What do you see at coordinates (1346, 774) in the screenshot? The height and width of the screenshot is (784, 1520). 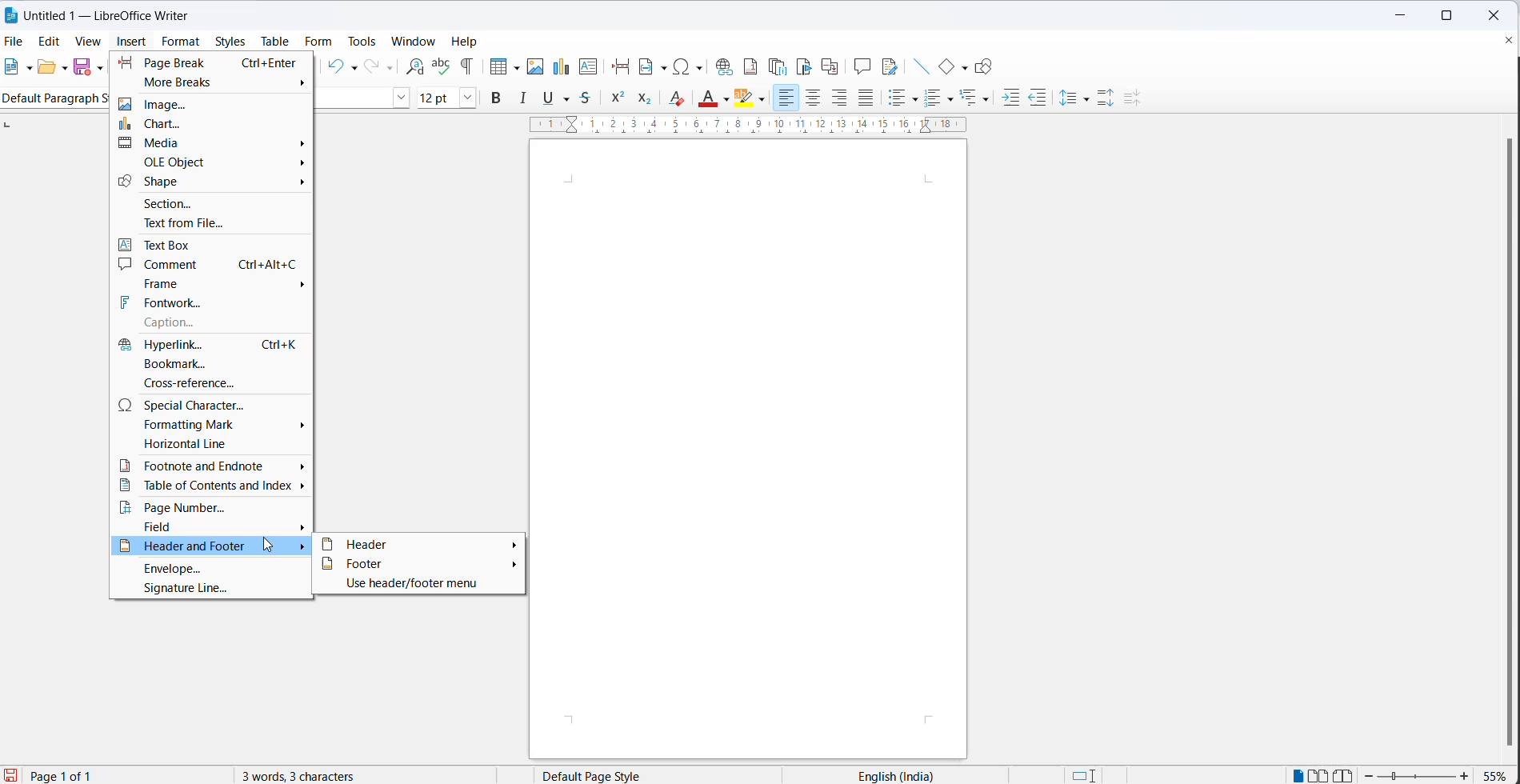 I see `book view` at bounding box center [1346, 774].